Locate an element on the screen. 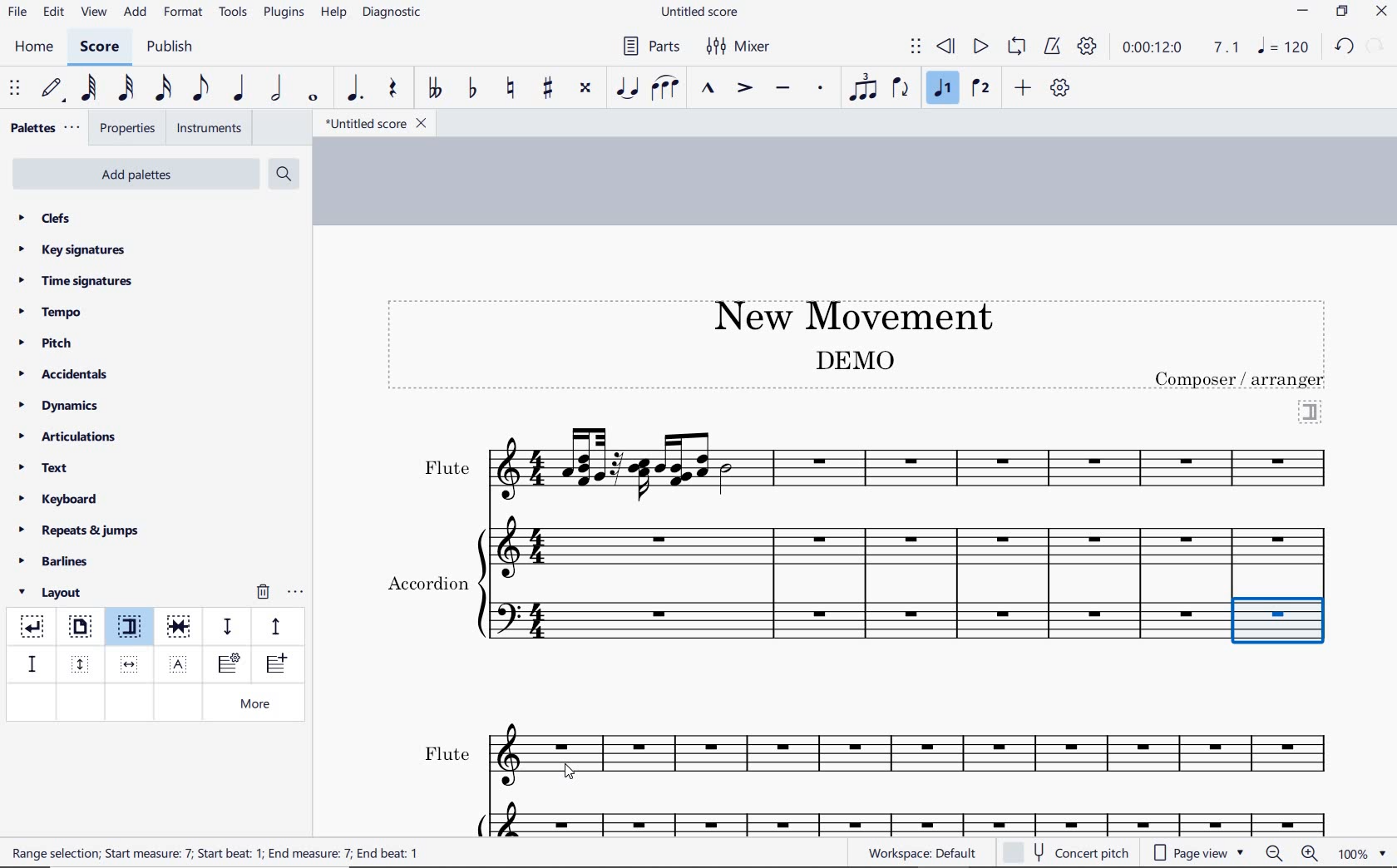  zoom factor is located at coordinates (1362, 853).